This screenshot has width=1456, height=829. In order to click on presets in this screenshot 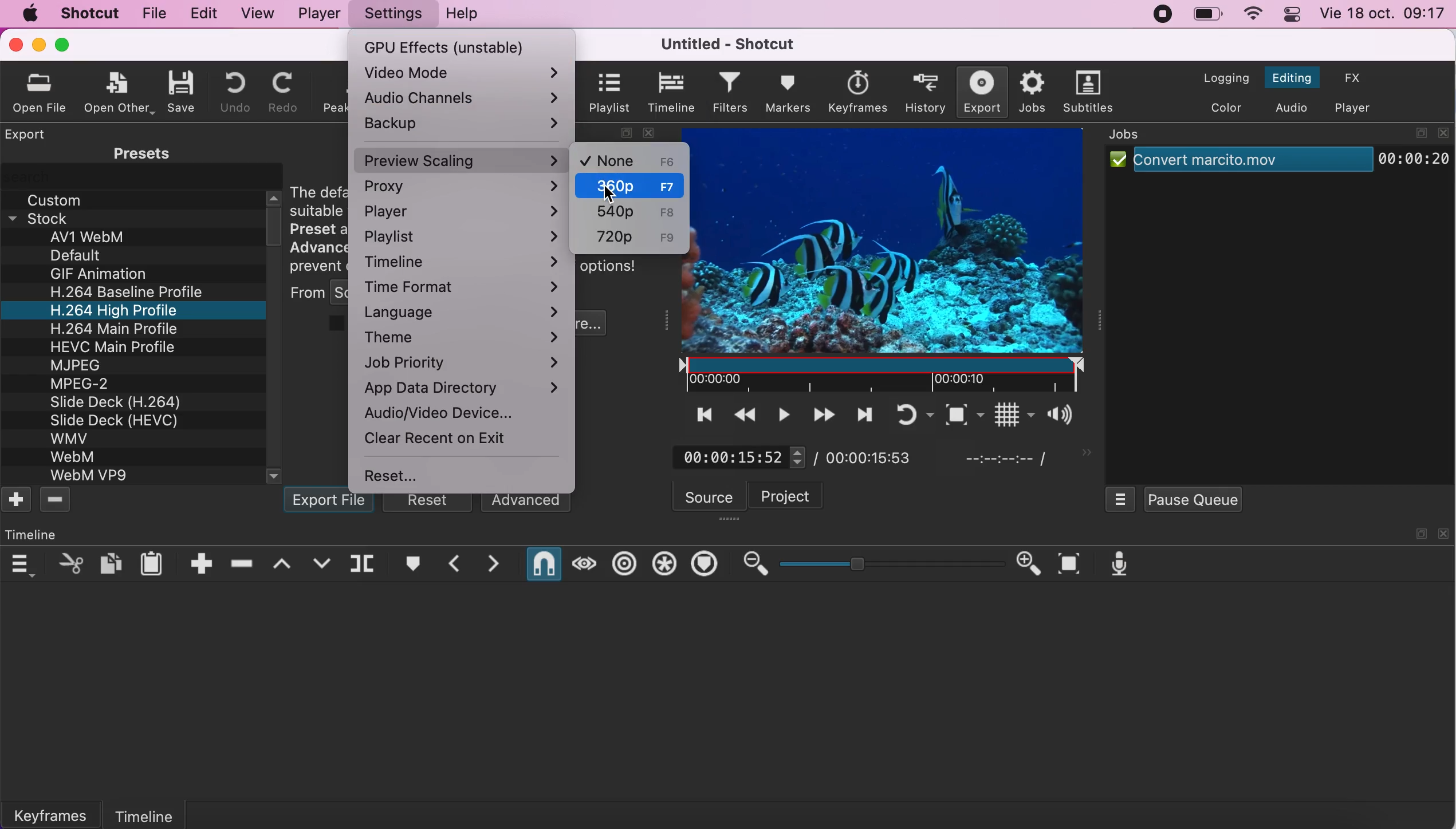, I will do `click(135, 153)`.